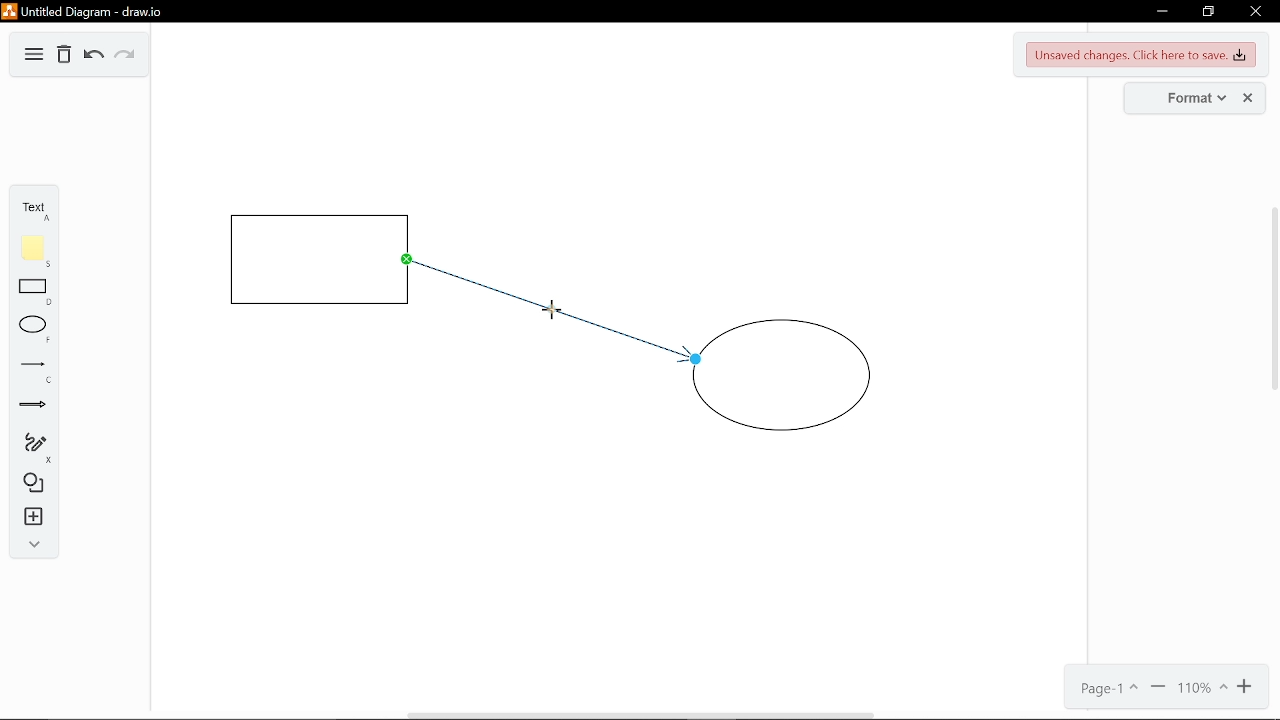 The height and width of the screenshot is (720, 1280). What do you see at coordinates (319, 258) in the screenshot?
I see `Square shape` at bounding box center [319, 258].